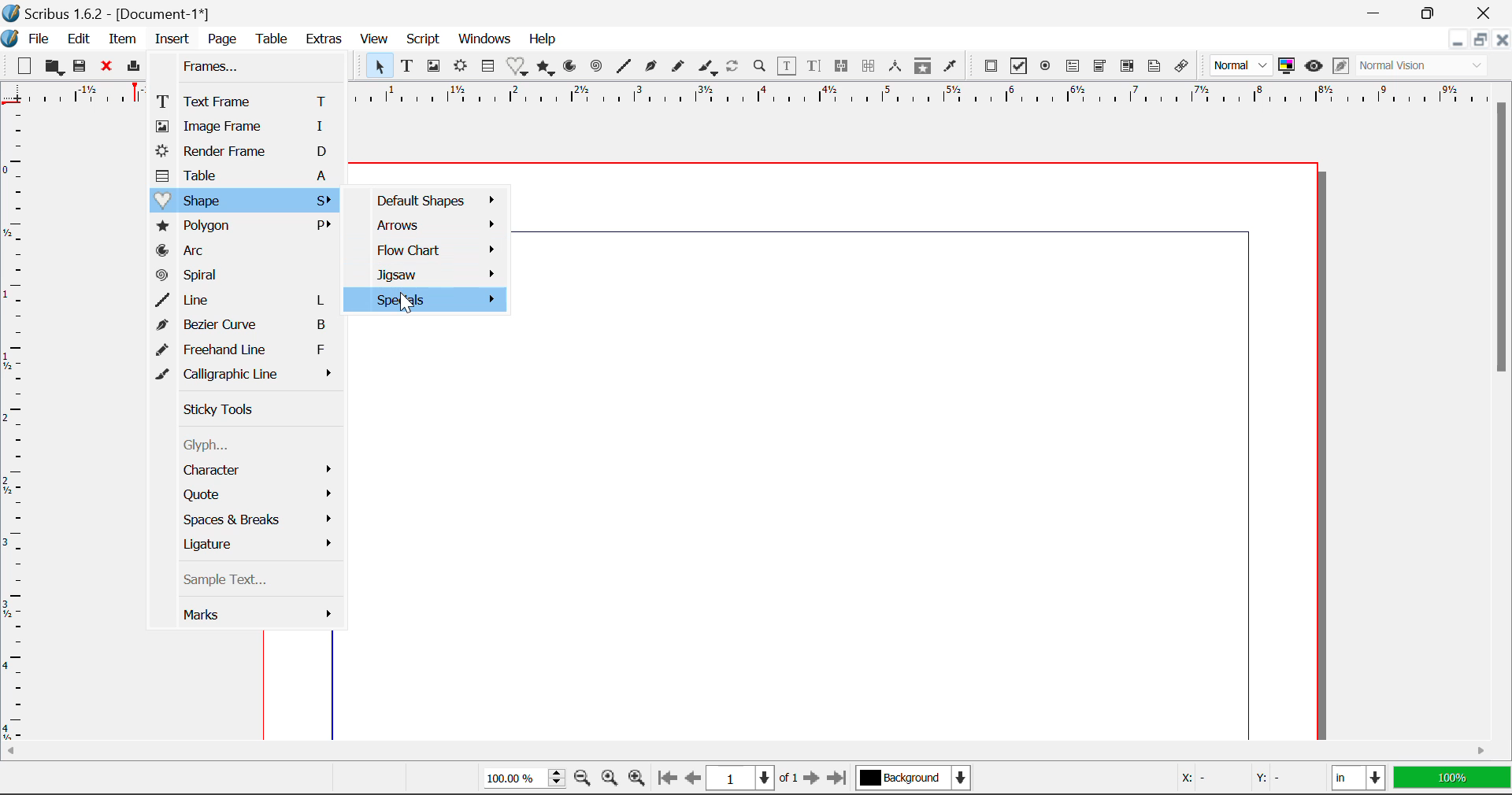 The image size is (1512, 795). What do you see at coordinates (736, 68) in the screenshot?
I see `Refresh` at bounding box center [736, 68].